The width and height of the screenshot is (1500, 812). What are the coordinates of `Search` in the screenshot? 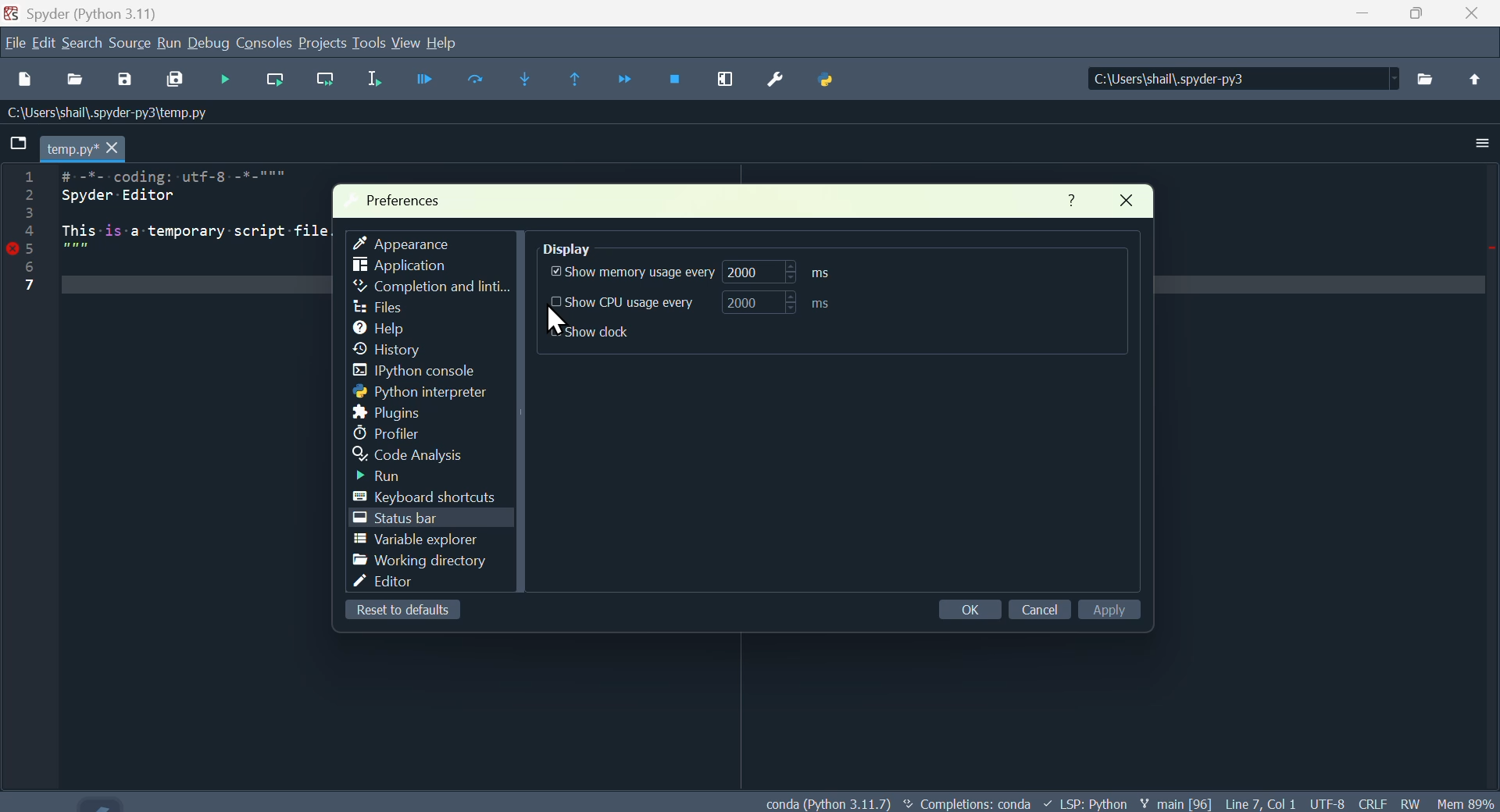 It's located at (83, 41).